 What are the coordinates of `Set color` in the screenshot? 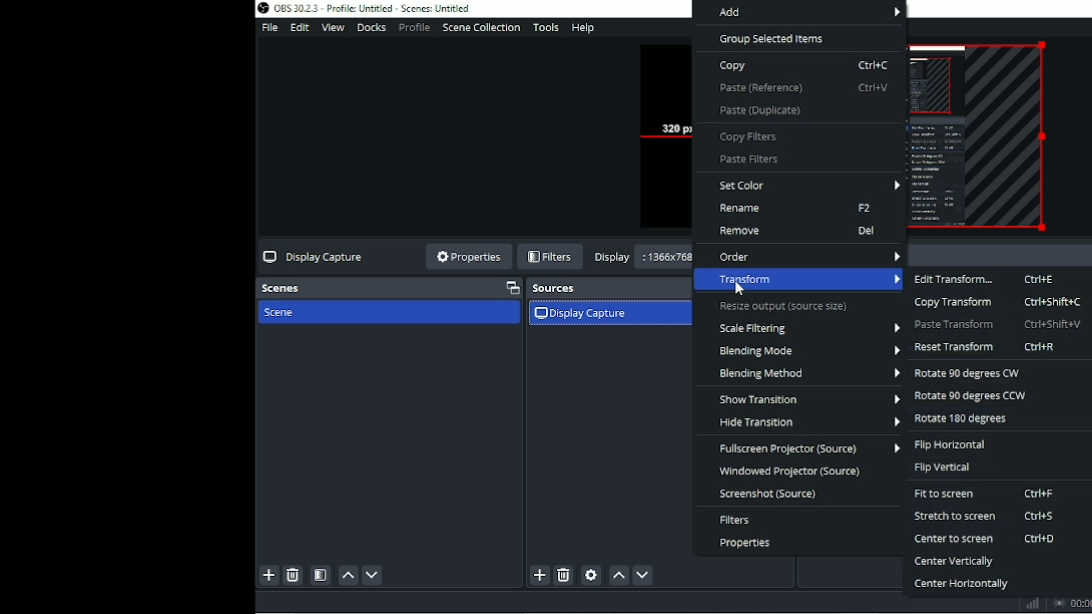 It's located at (808, 184).